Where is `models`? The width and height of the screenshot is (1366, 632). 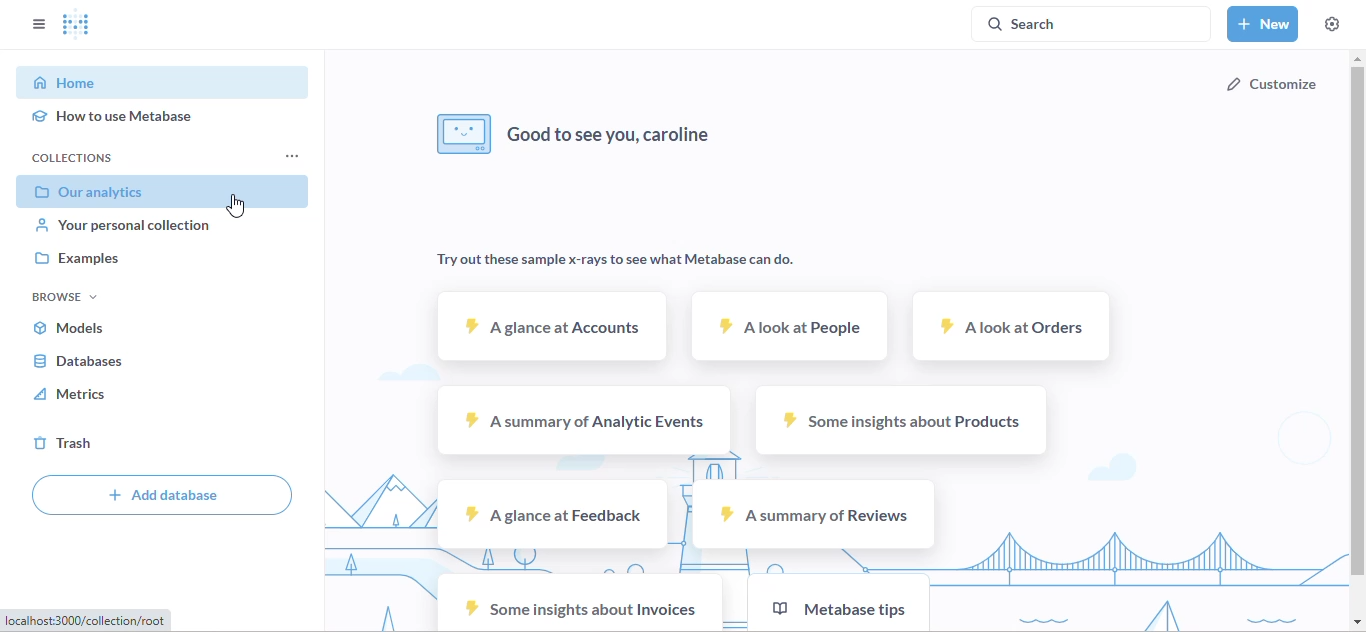
models is located at coordinates (68, 329).